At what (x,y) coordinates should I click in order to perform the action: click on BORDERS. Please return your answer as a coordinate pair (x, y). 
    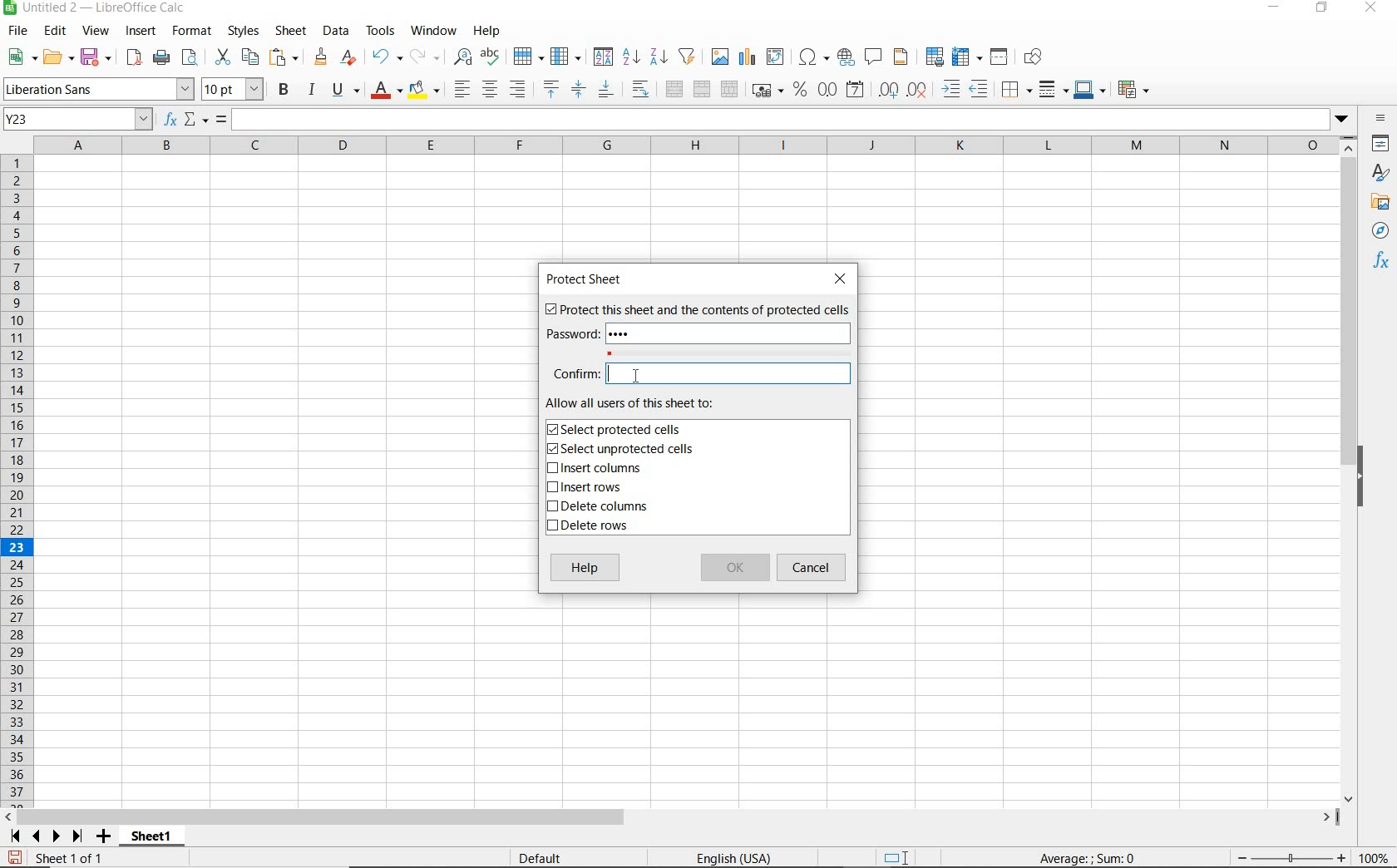
    Looking at the image, I should click on (1014, 91).